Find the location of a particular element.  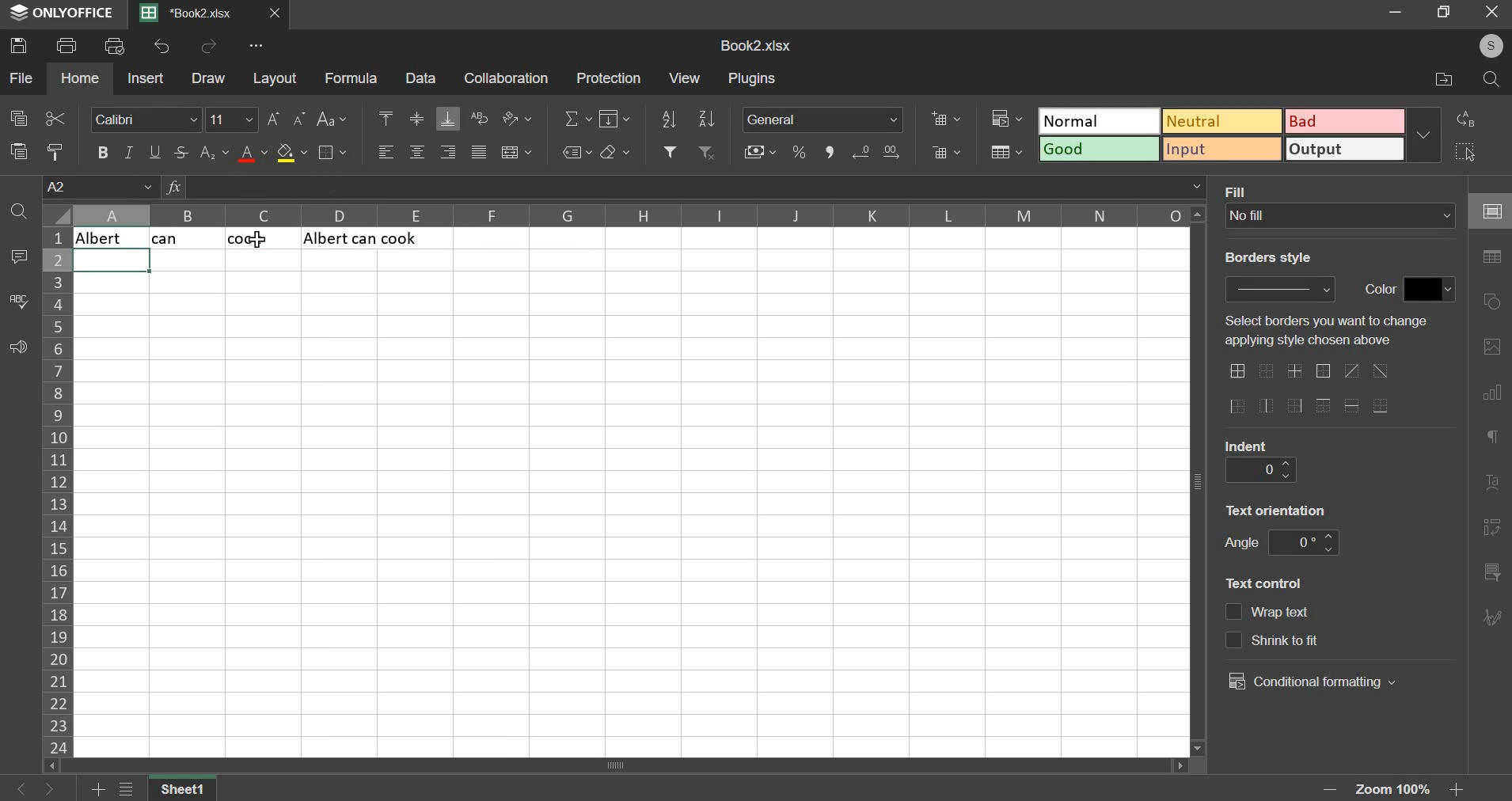

home is located at coordinates (81, 78).